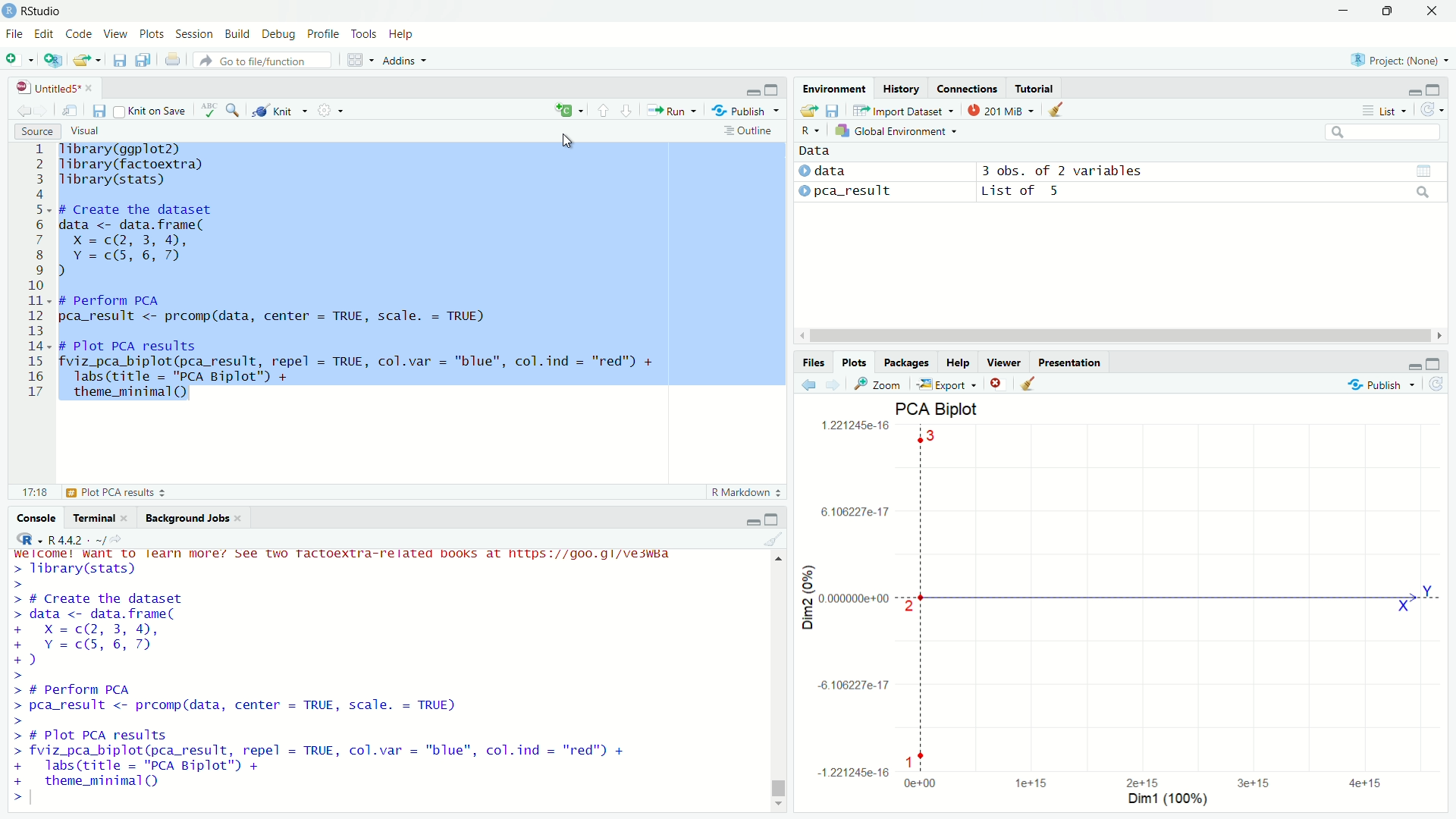  Describe the element at coordinates (1005, 362) in the screenshot. I see `Viewer` at that location.